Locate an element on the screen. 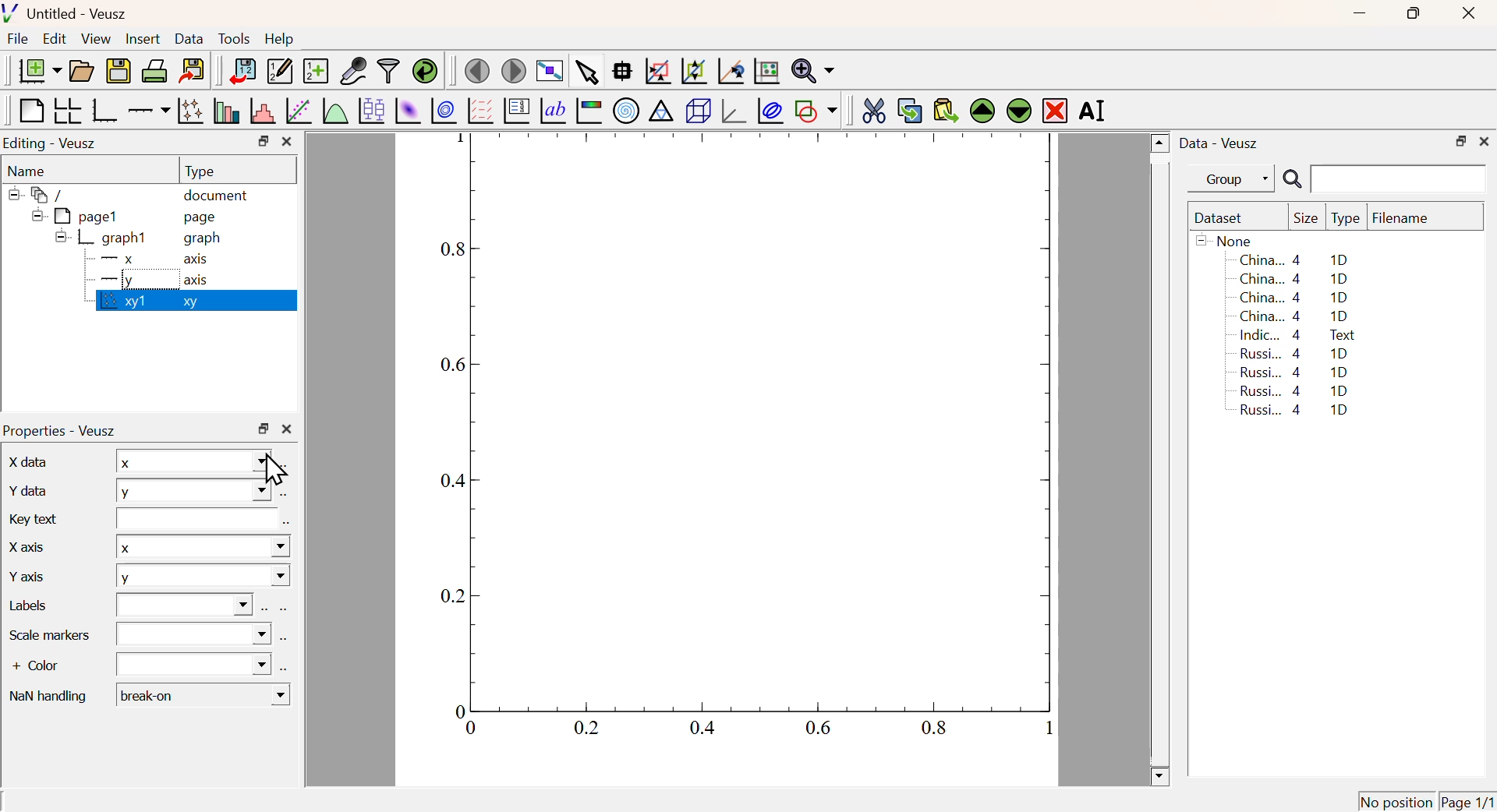  Insert is located at coordinates (141, 40).